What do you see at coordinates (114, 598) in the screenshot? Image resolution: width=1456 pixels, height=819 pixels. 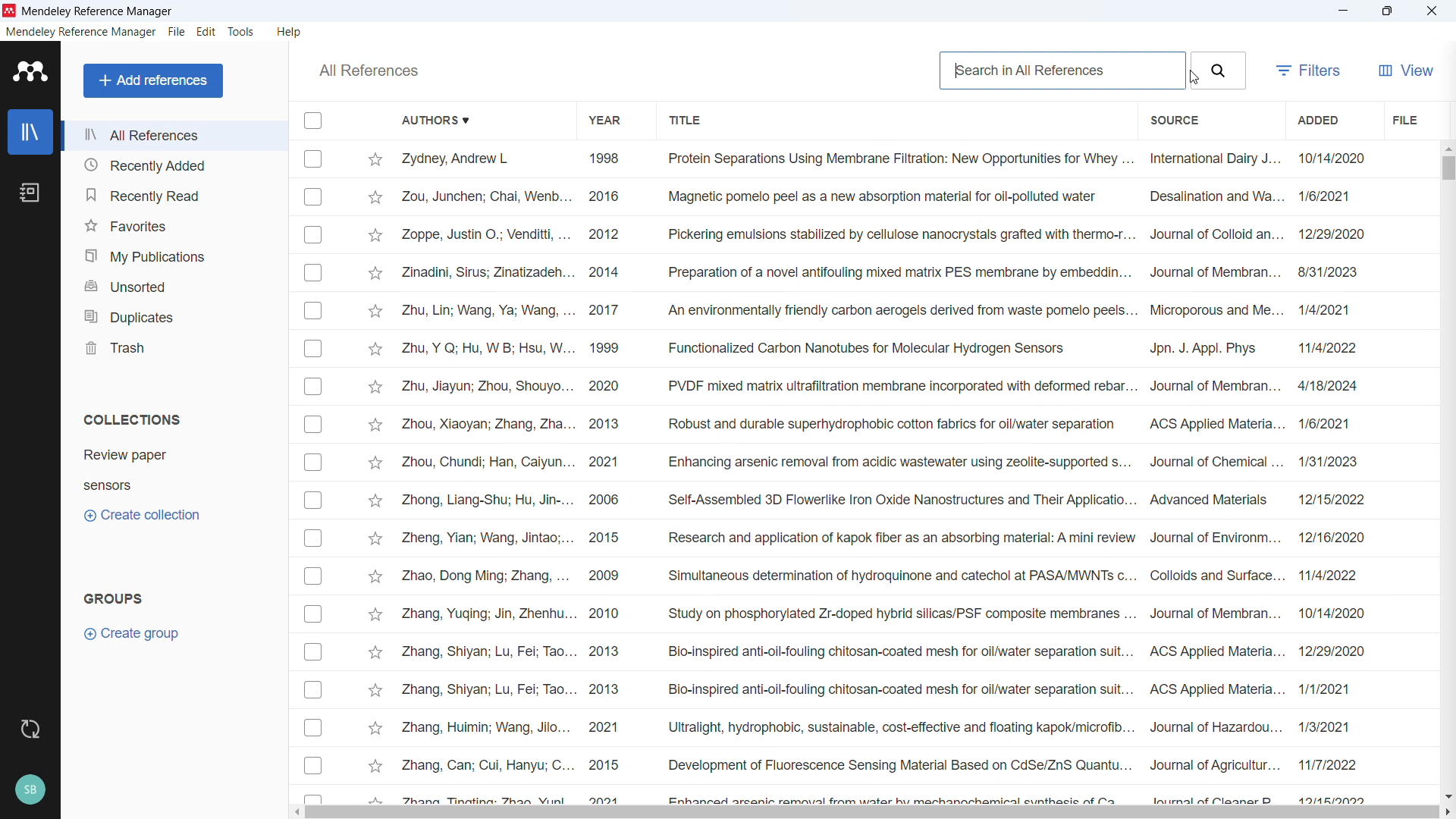 I see `Groups ` at bounding box center [114, 598].